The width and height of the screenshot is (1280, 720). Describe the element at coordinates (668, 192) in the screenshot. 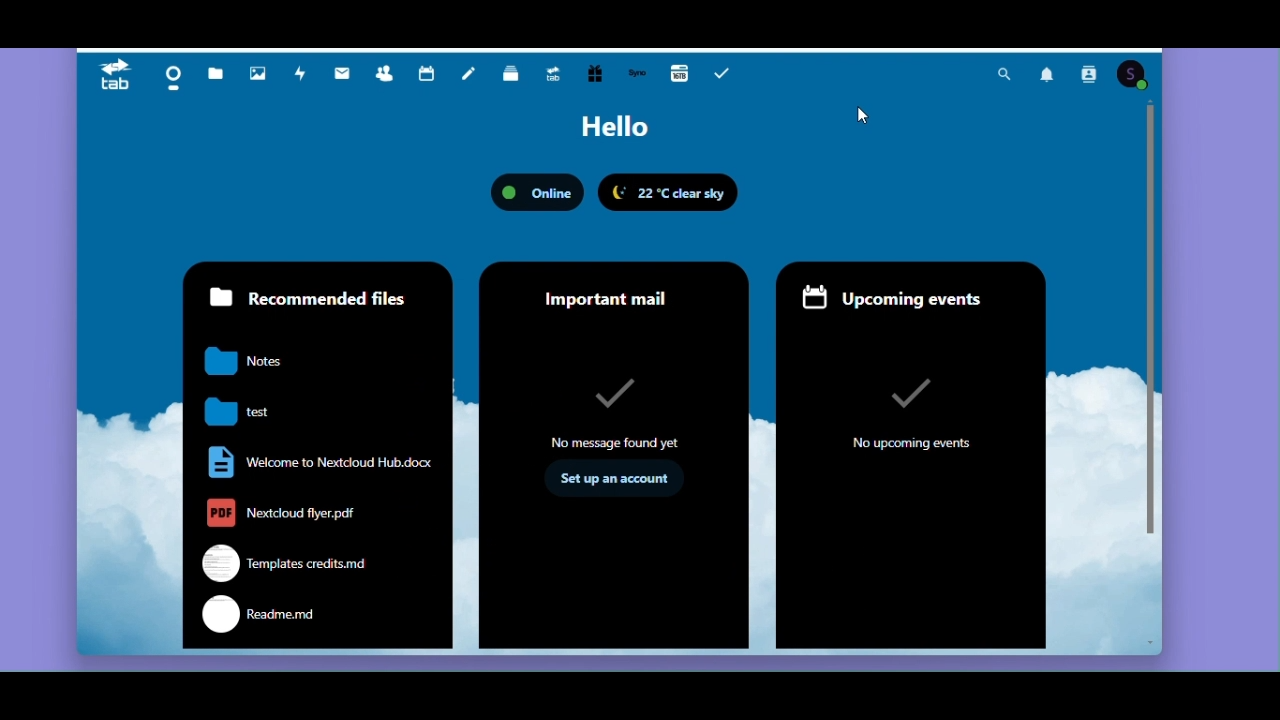

I see `22 degree Celsius clear Sky` at that location.